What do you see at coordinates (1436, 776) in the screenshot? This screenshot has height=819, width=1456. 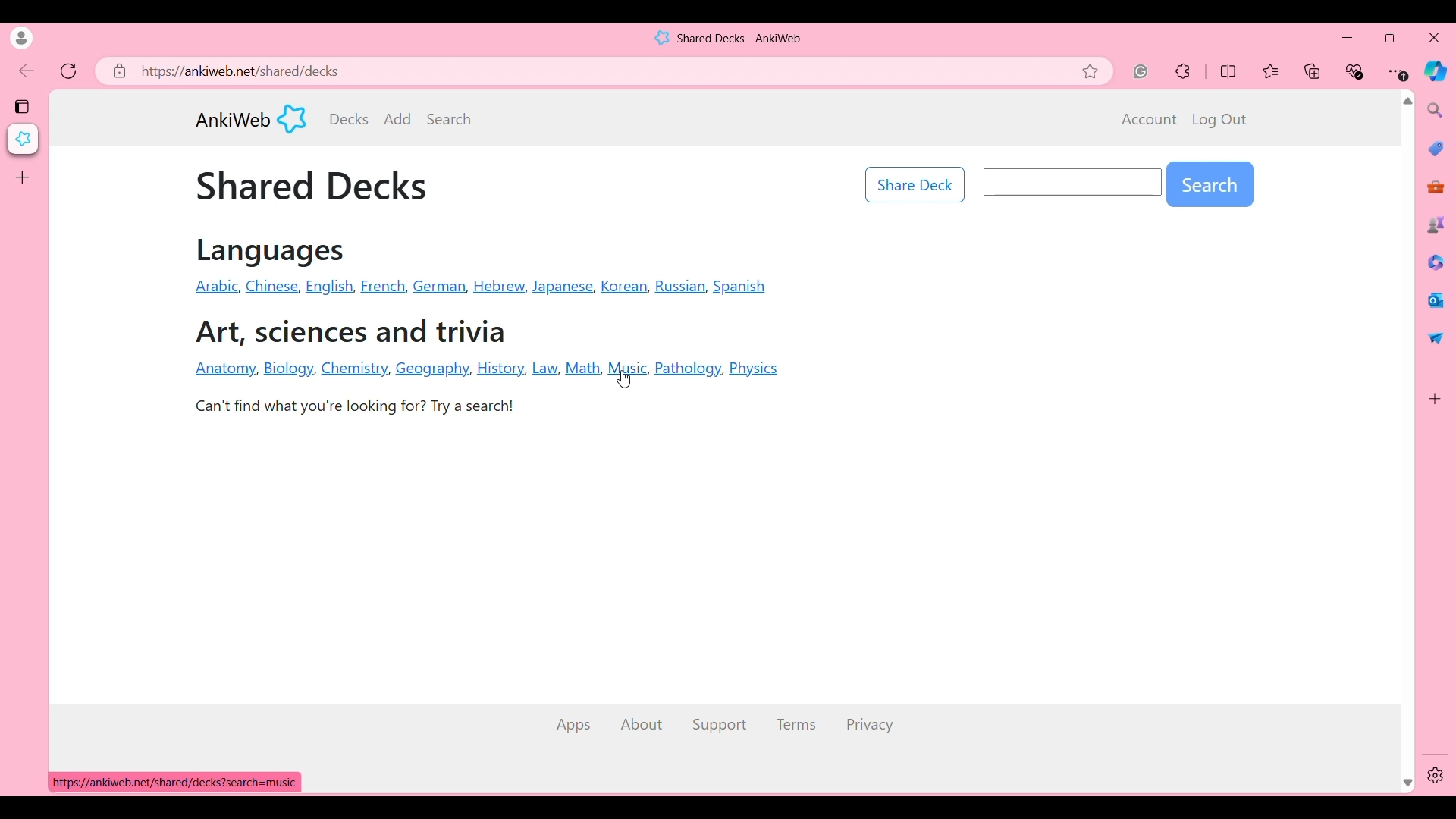 I see `Settings` at bounding box center [1436, 776].